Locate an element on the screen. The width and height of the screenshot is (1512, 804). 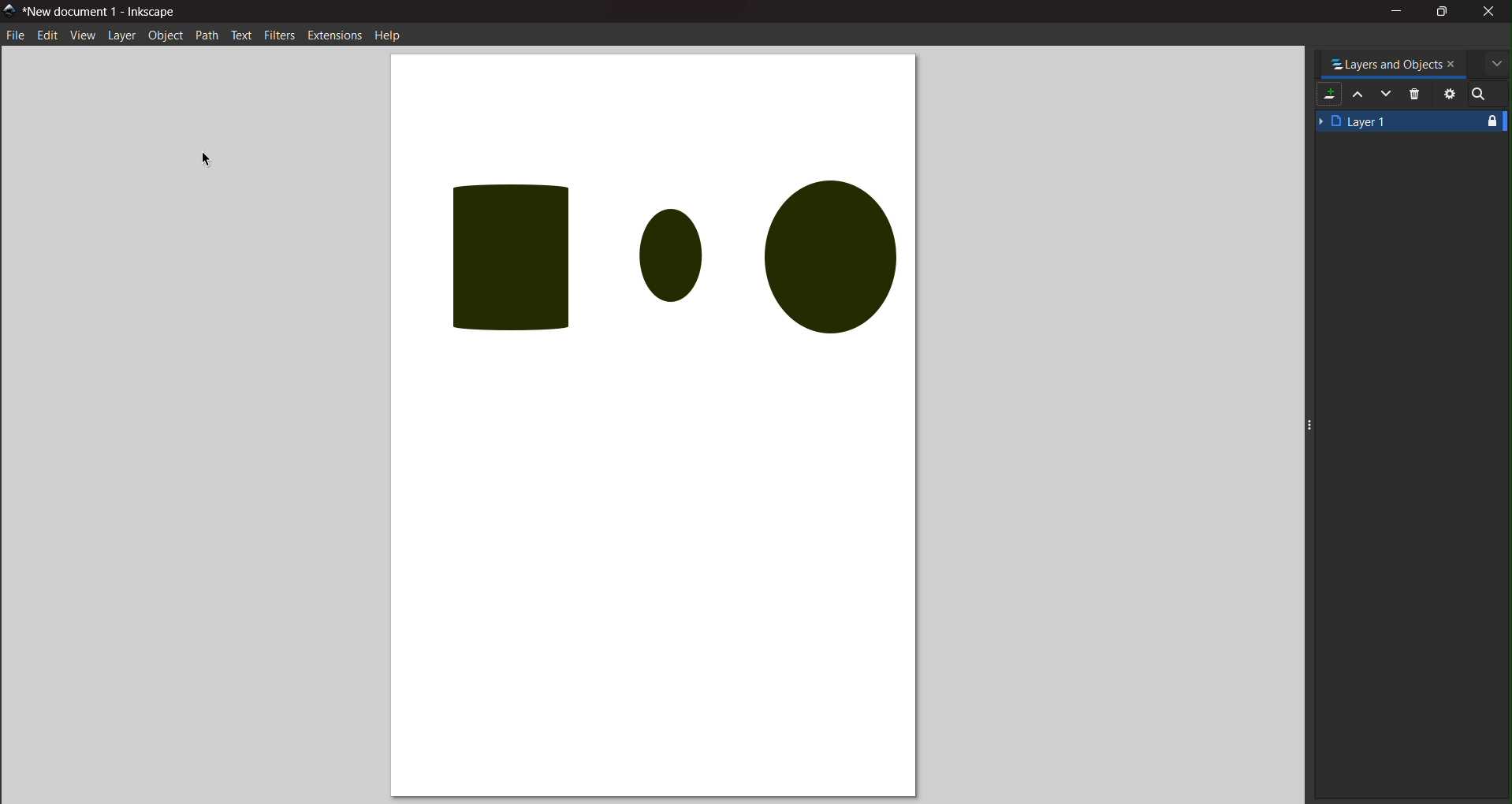
close tab is located at coordinates (1454, 64).